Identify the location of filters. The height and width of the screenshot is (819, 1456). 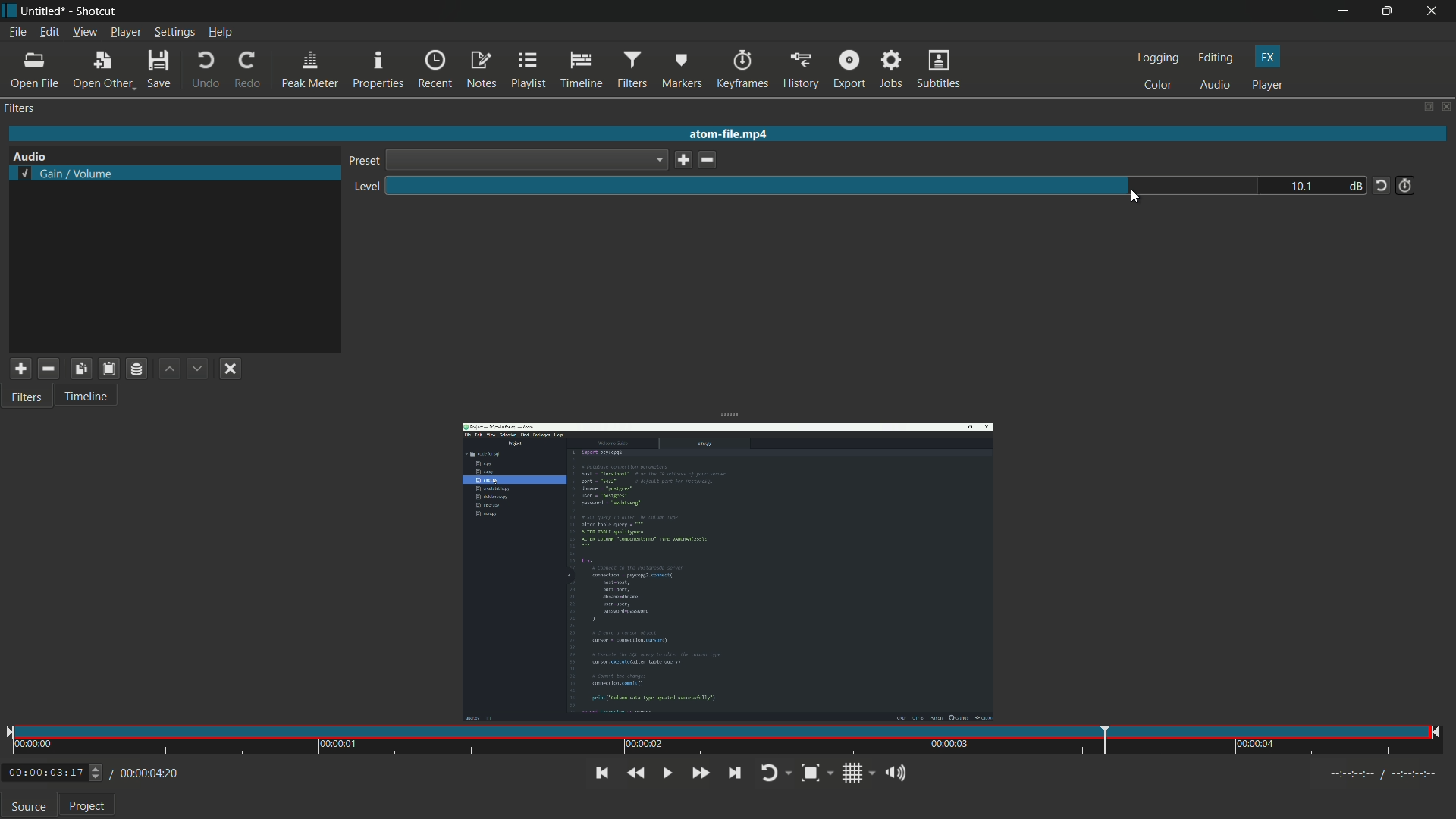
(632, 71).